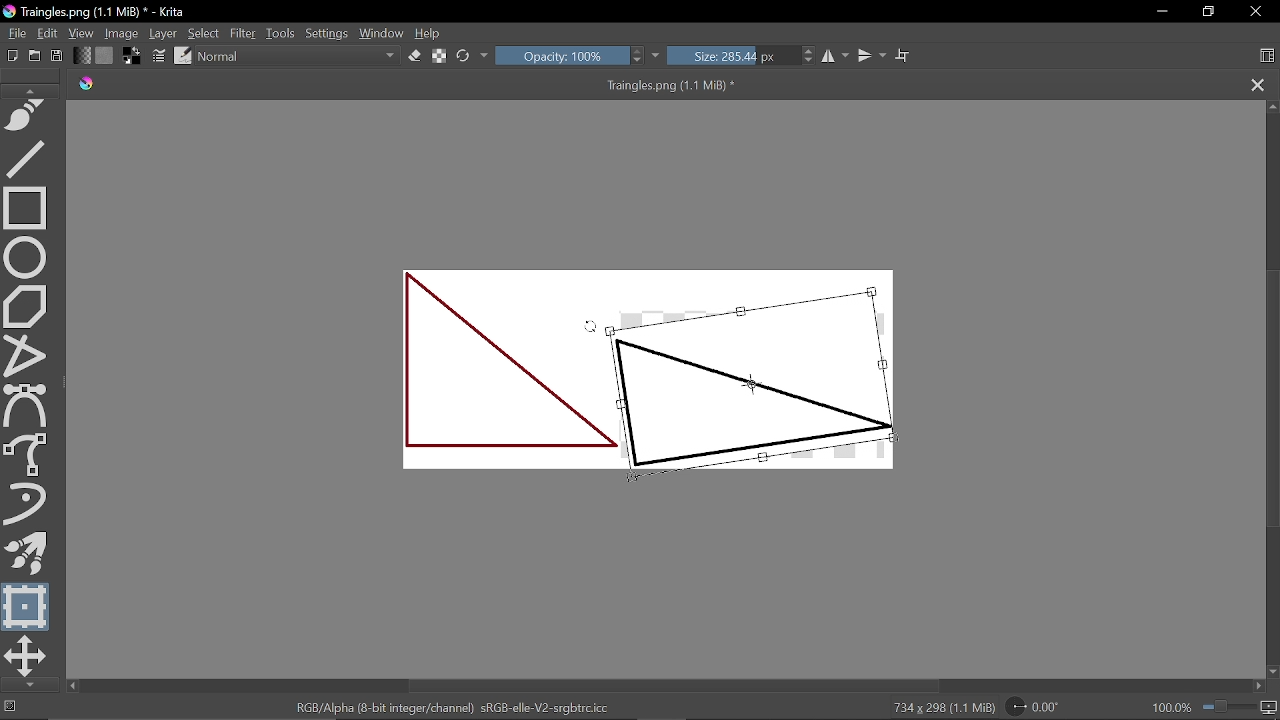 The width and height of the screenshot is (1280, 720). I want to click on Select, so click(203, 33).